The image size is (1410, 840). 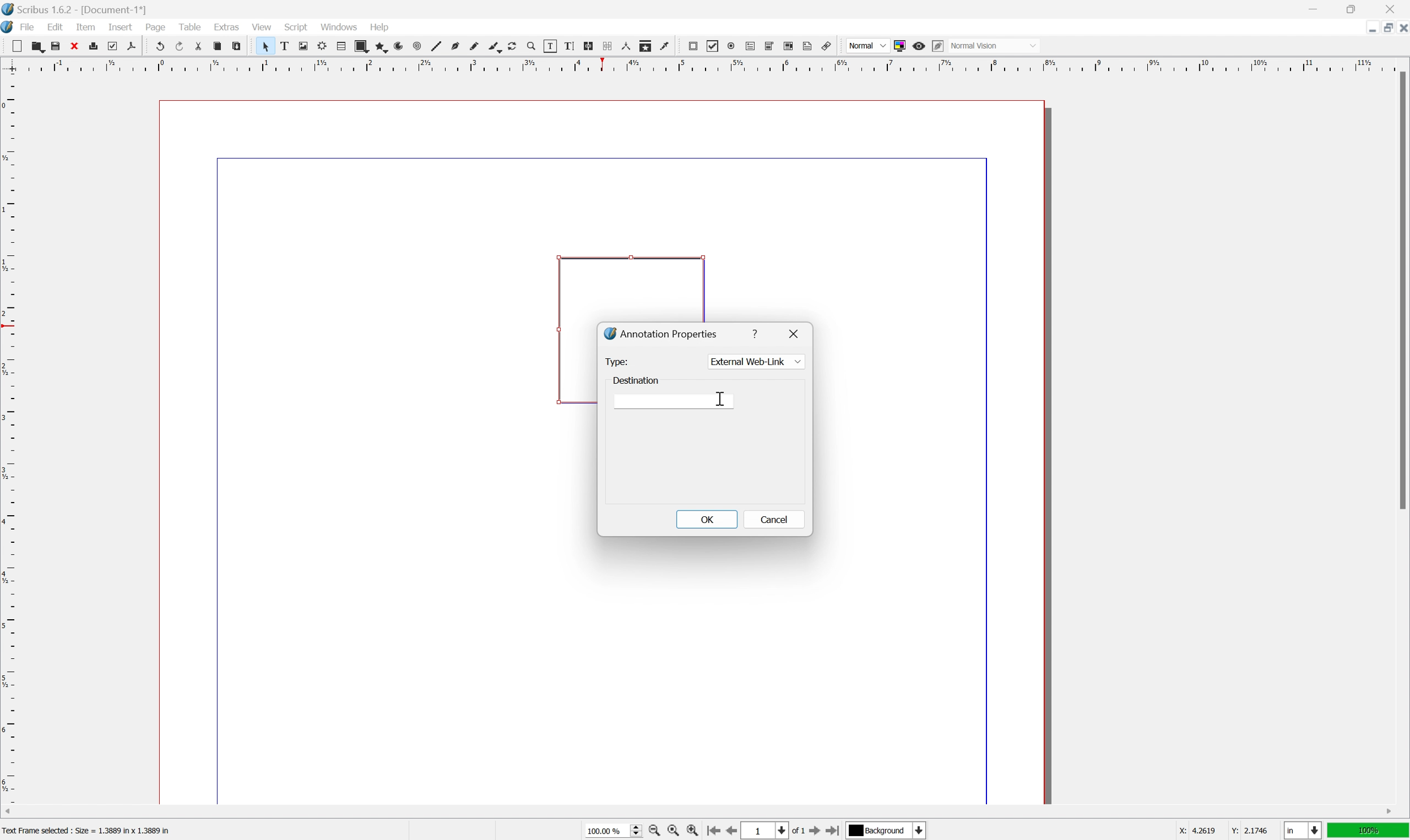 I want to click on Help, so click(x=381, y=28).